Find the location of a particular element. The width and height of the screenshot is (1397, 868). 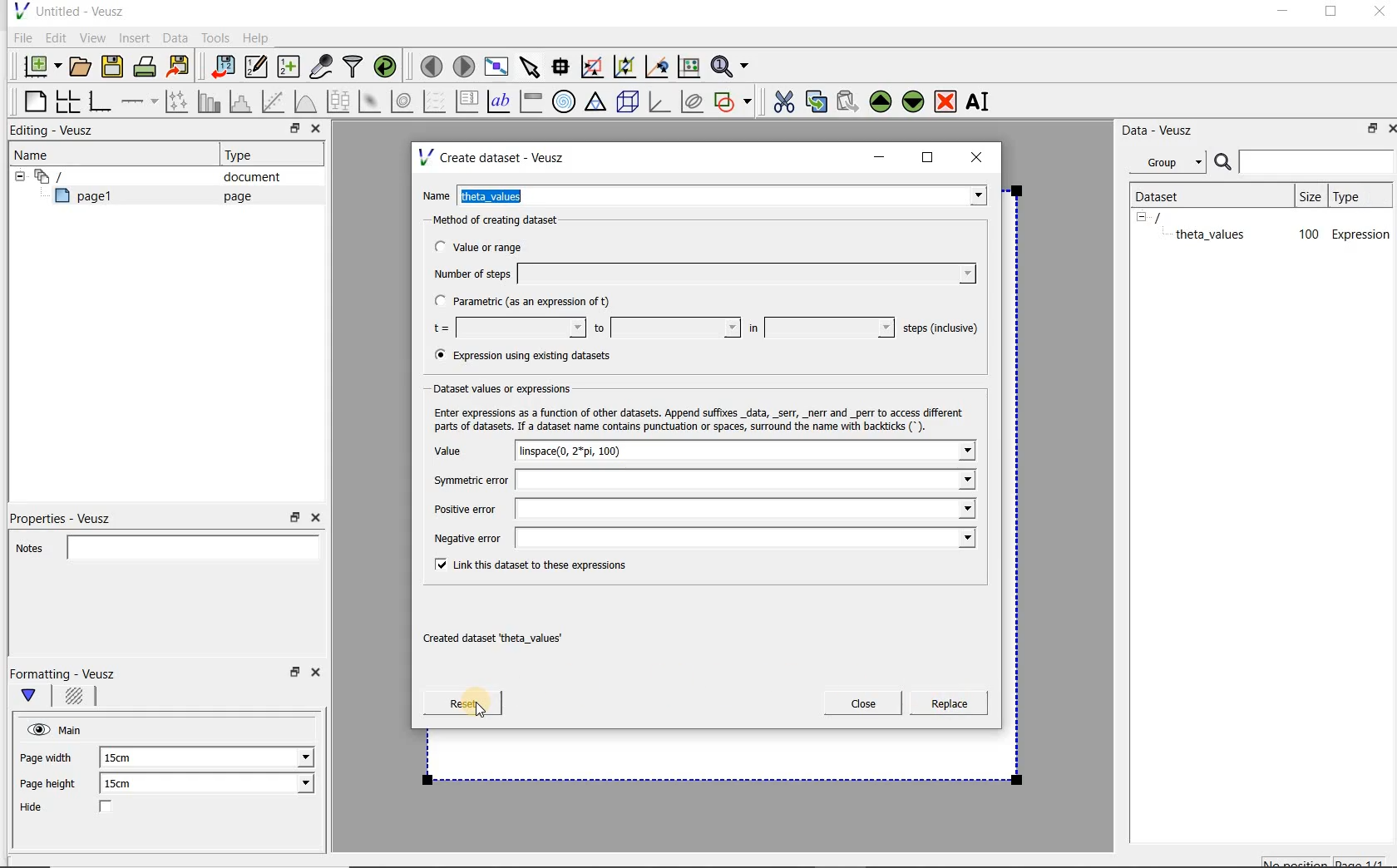

Insert is located at coordinates (136, 37).